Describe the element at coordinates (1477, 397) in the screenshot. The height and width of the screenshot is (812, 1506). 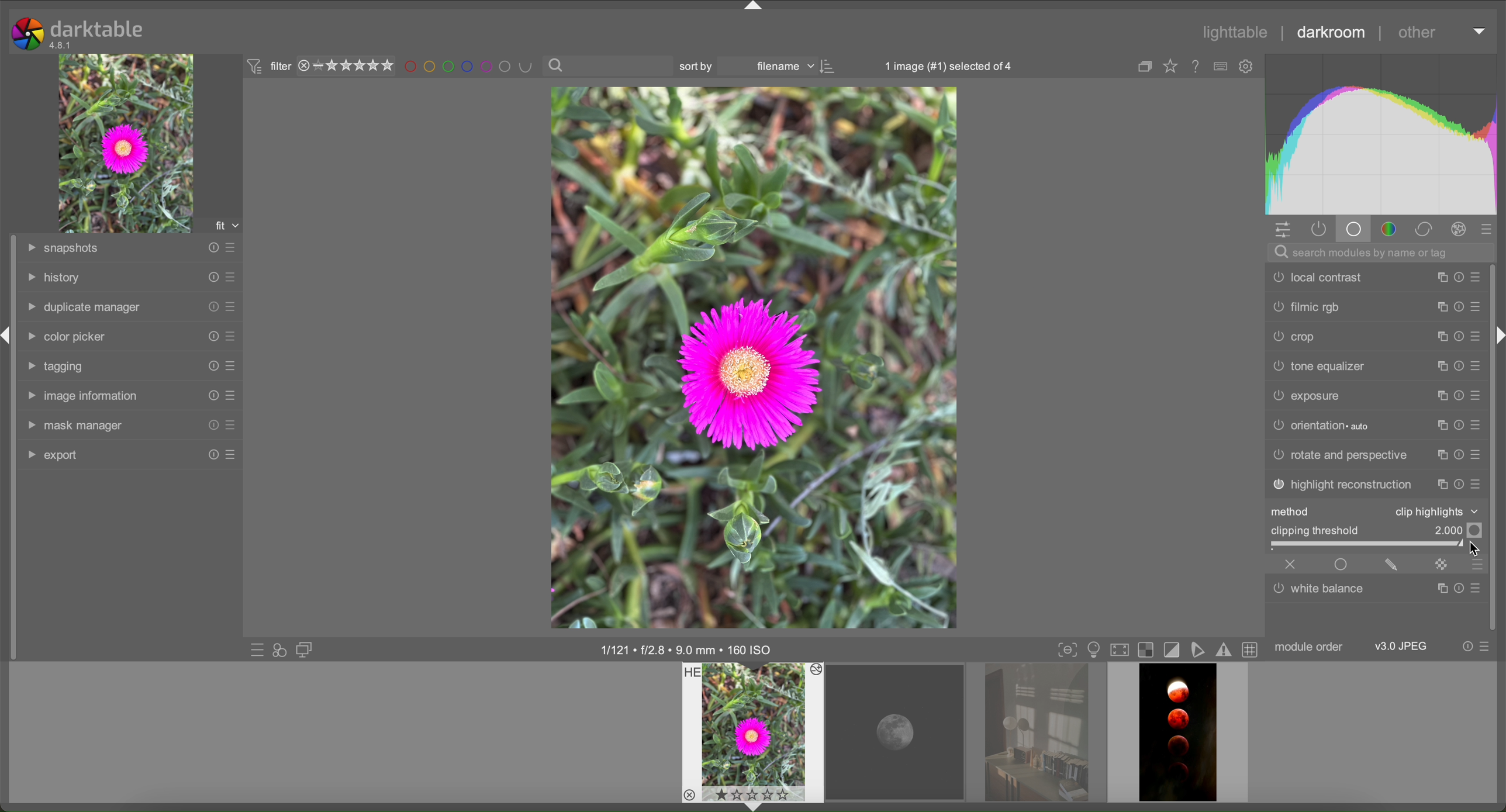
I see `presets` at that location.